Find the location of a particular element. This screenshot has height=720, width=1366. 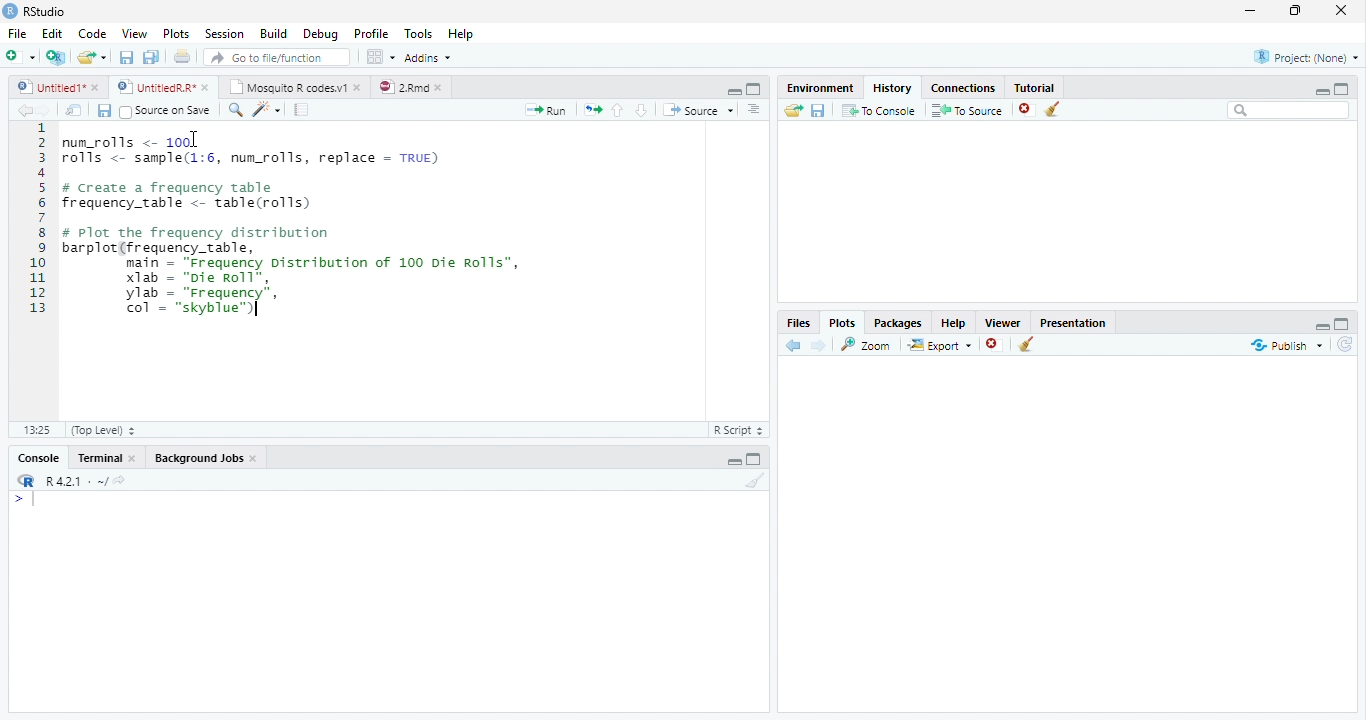

Background Jobs is located at coordinates (207, 456).